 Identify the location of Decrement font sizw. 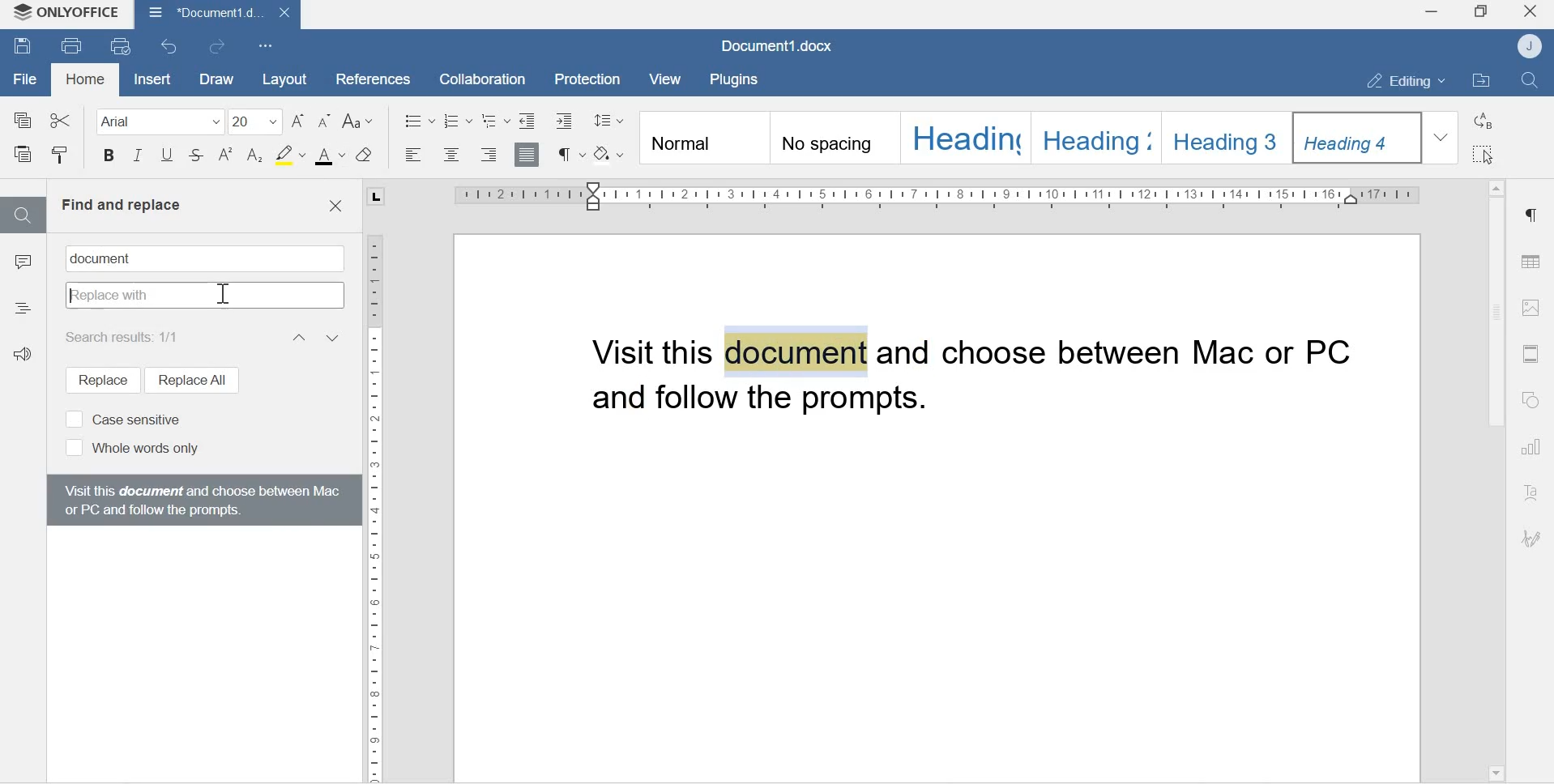
(325, 121).